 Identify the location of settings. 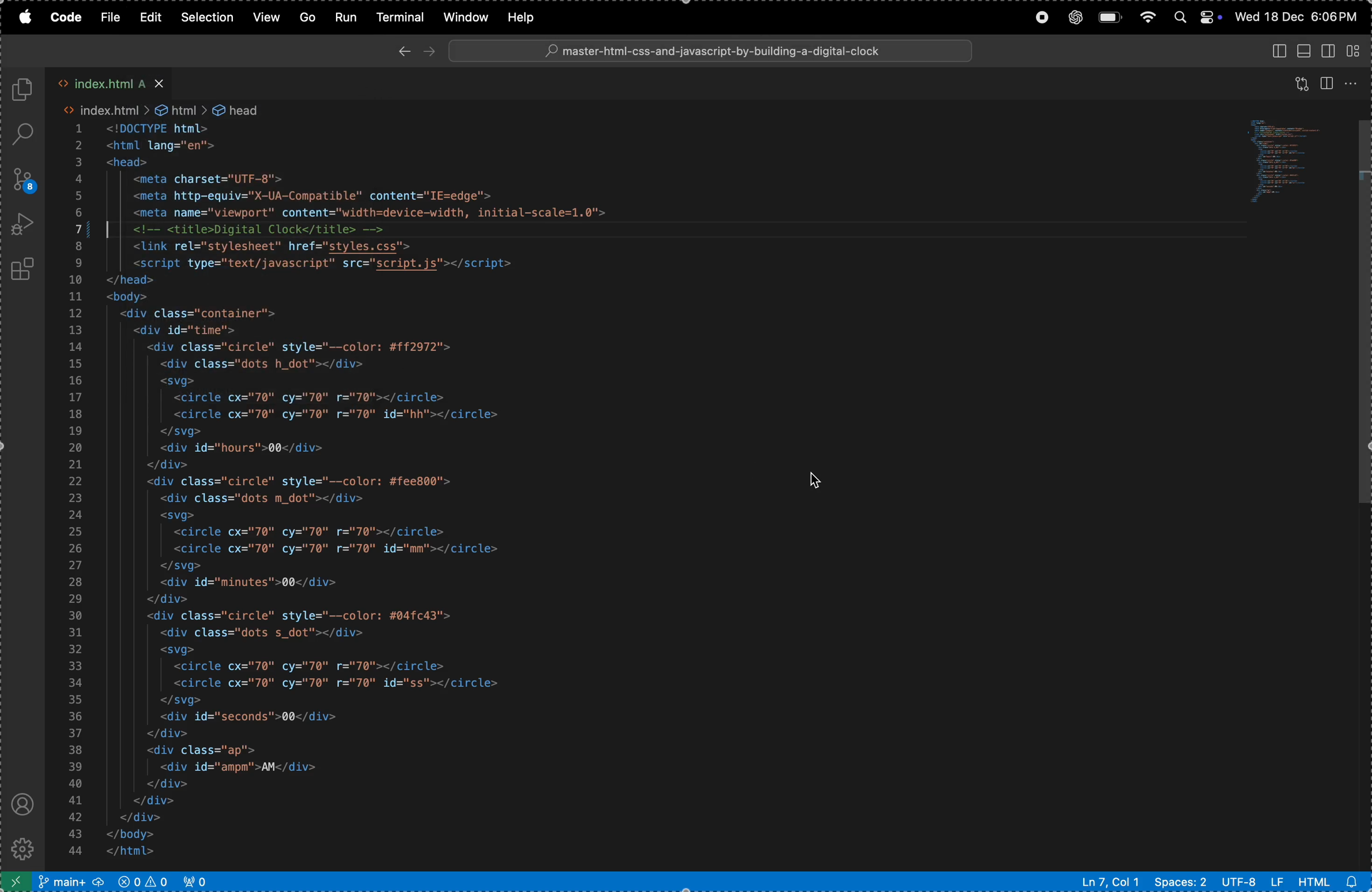
(27, 848).